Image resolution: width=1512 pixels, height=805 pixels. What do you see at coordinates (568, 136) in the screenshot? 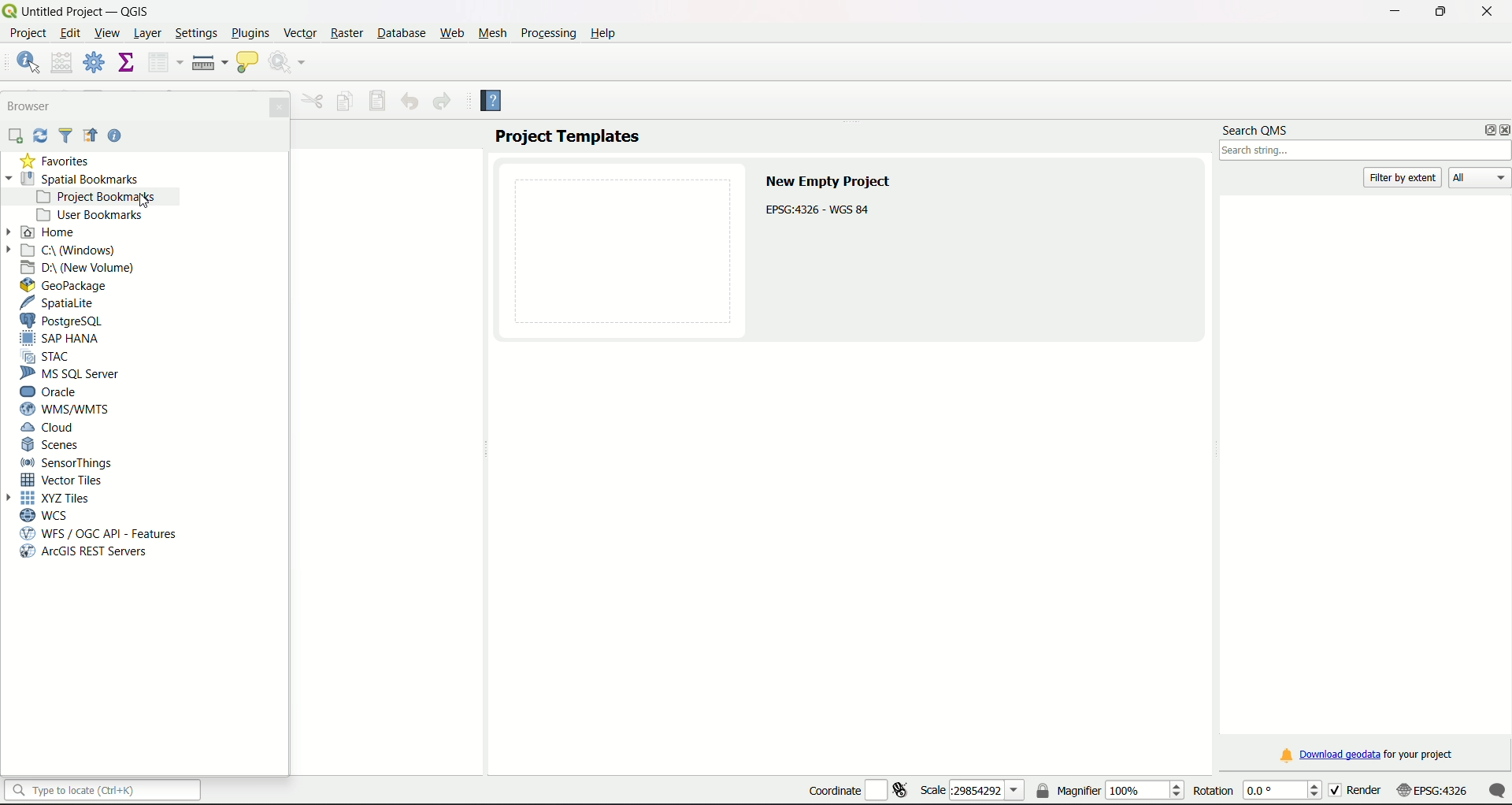
I see `project templates` at bounding box center [568, 136].